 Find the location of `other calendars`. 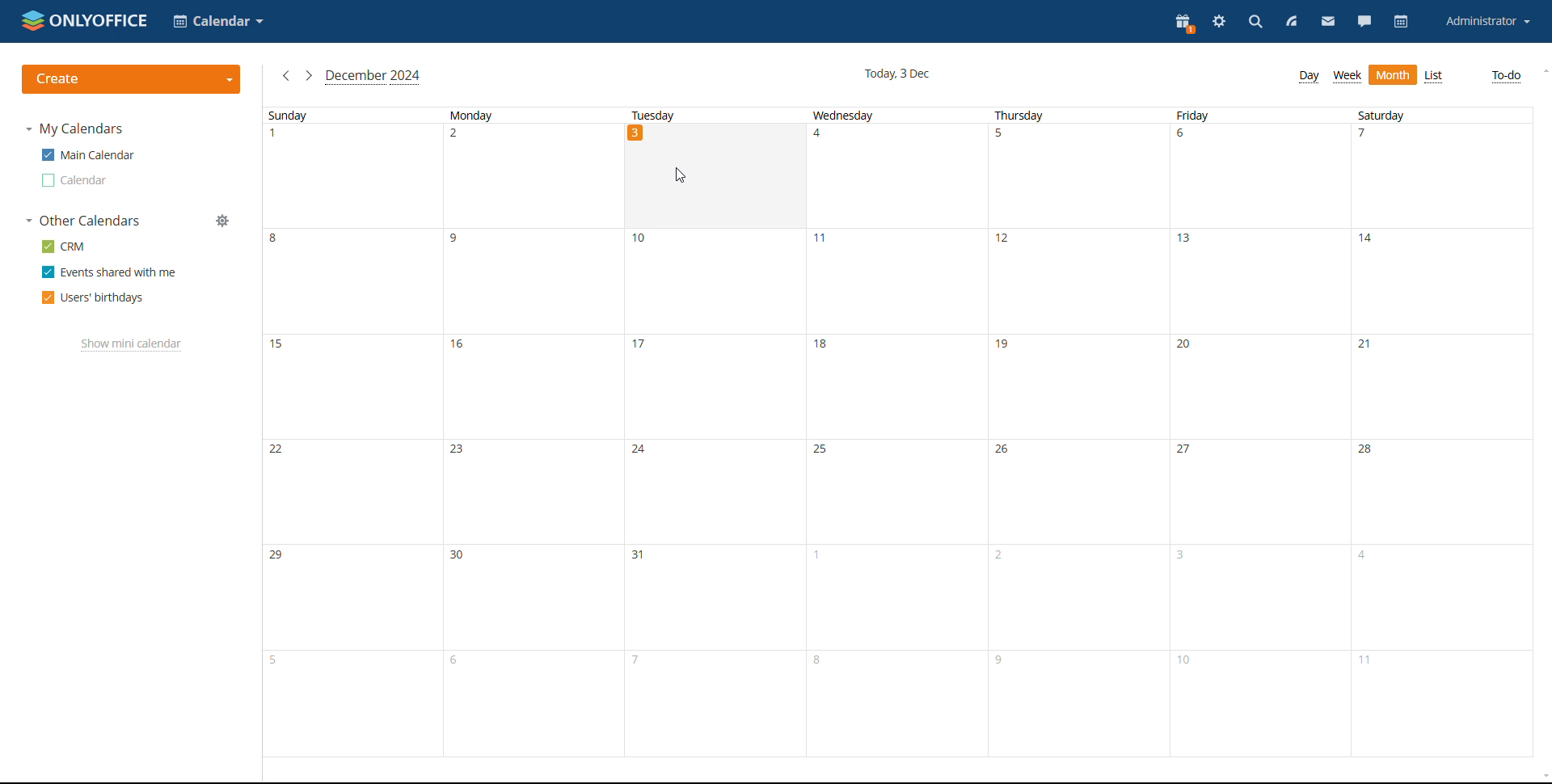

other calendars is located at coordinates (82, 220).